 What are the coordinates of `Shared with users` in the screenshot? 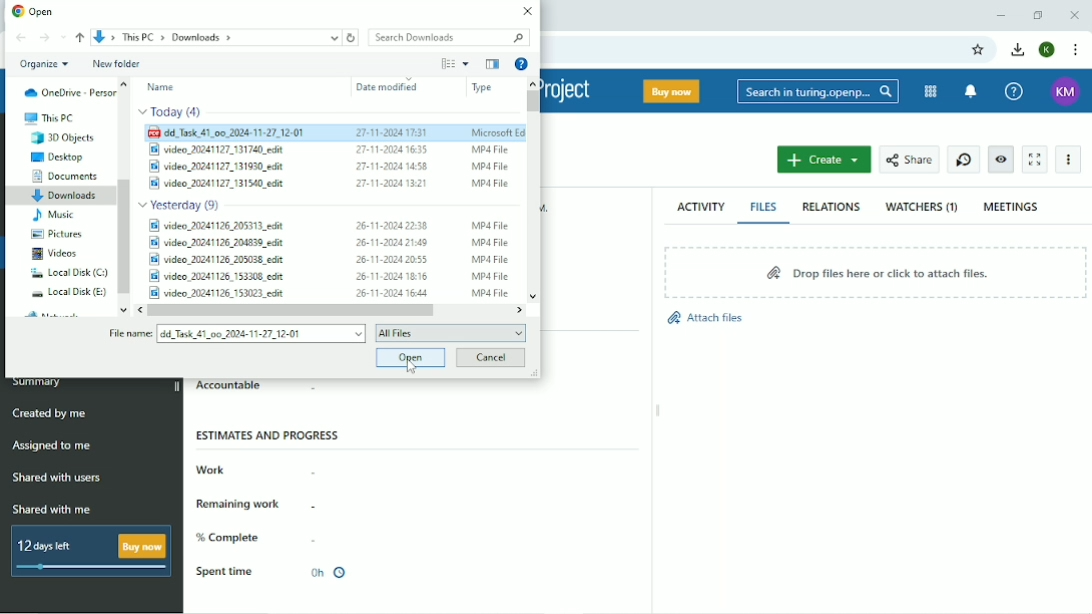 It's located at (57, 478).